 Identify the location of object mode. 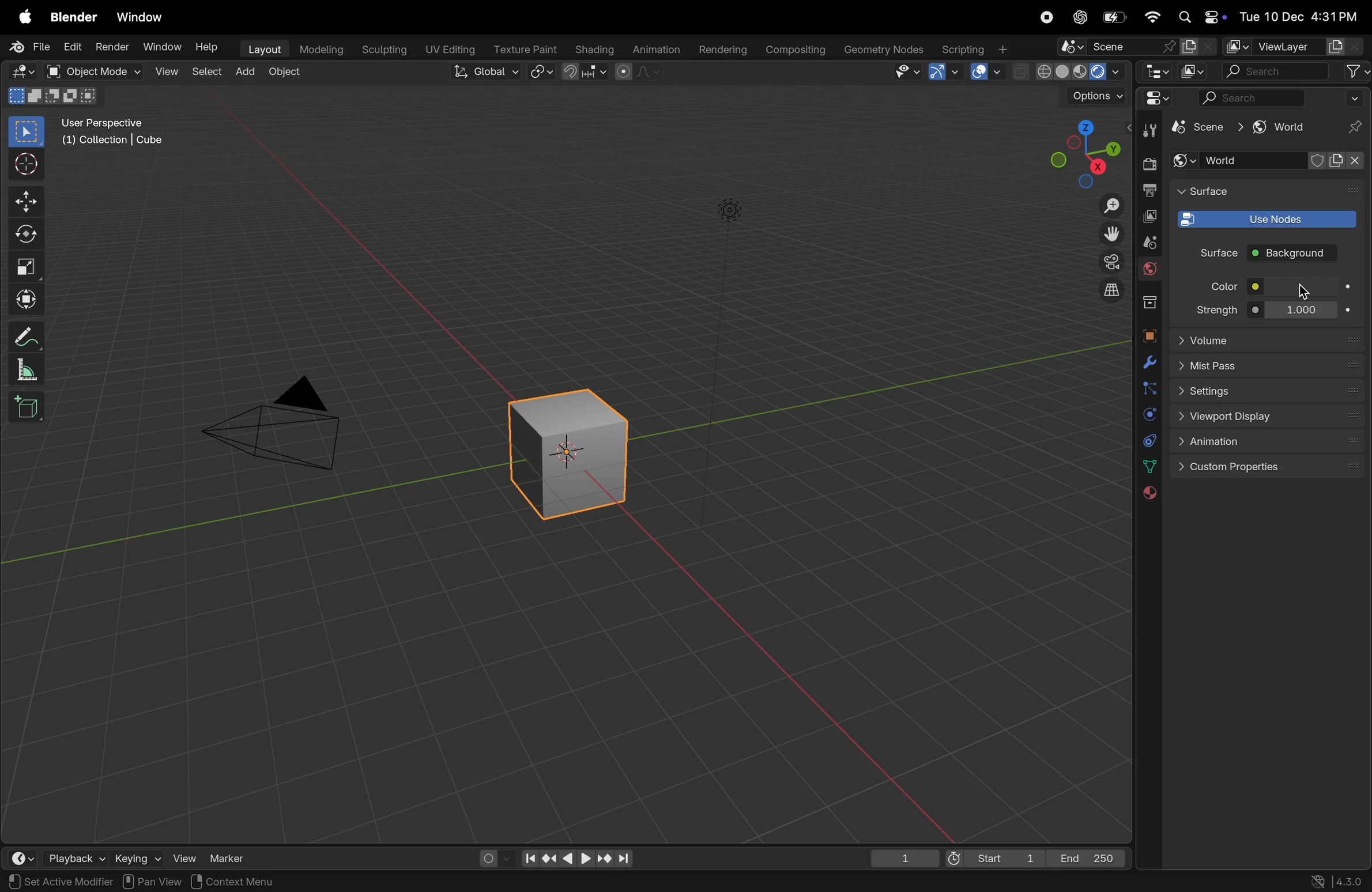
(96, 71).